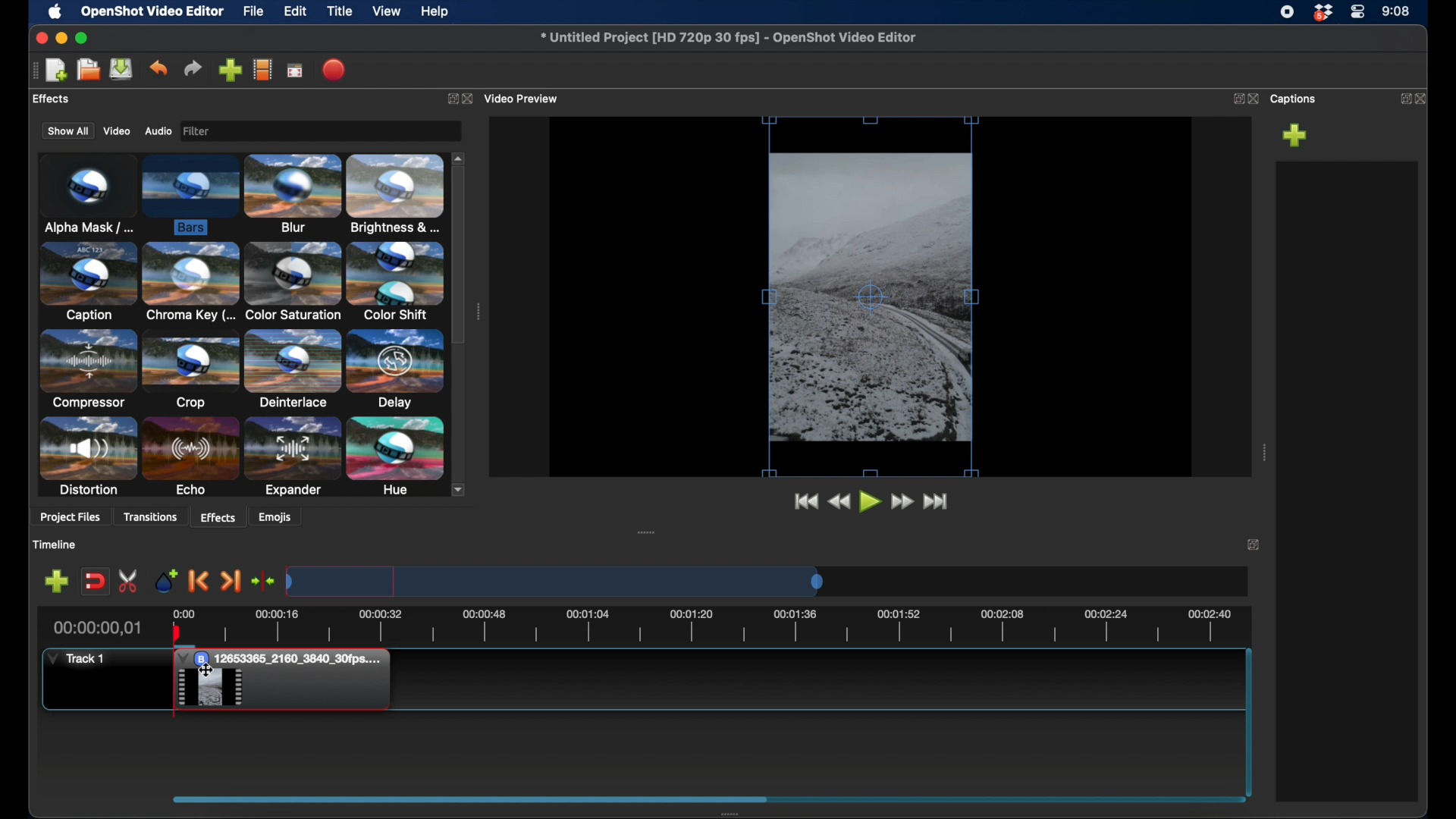 The width and height of the screenshot is (1456, 819). What do you see at coordinates (295, 71) in the screenshot?
I see `full screen` at bounding box center [295, 71].